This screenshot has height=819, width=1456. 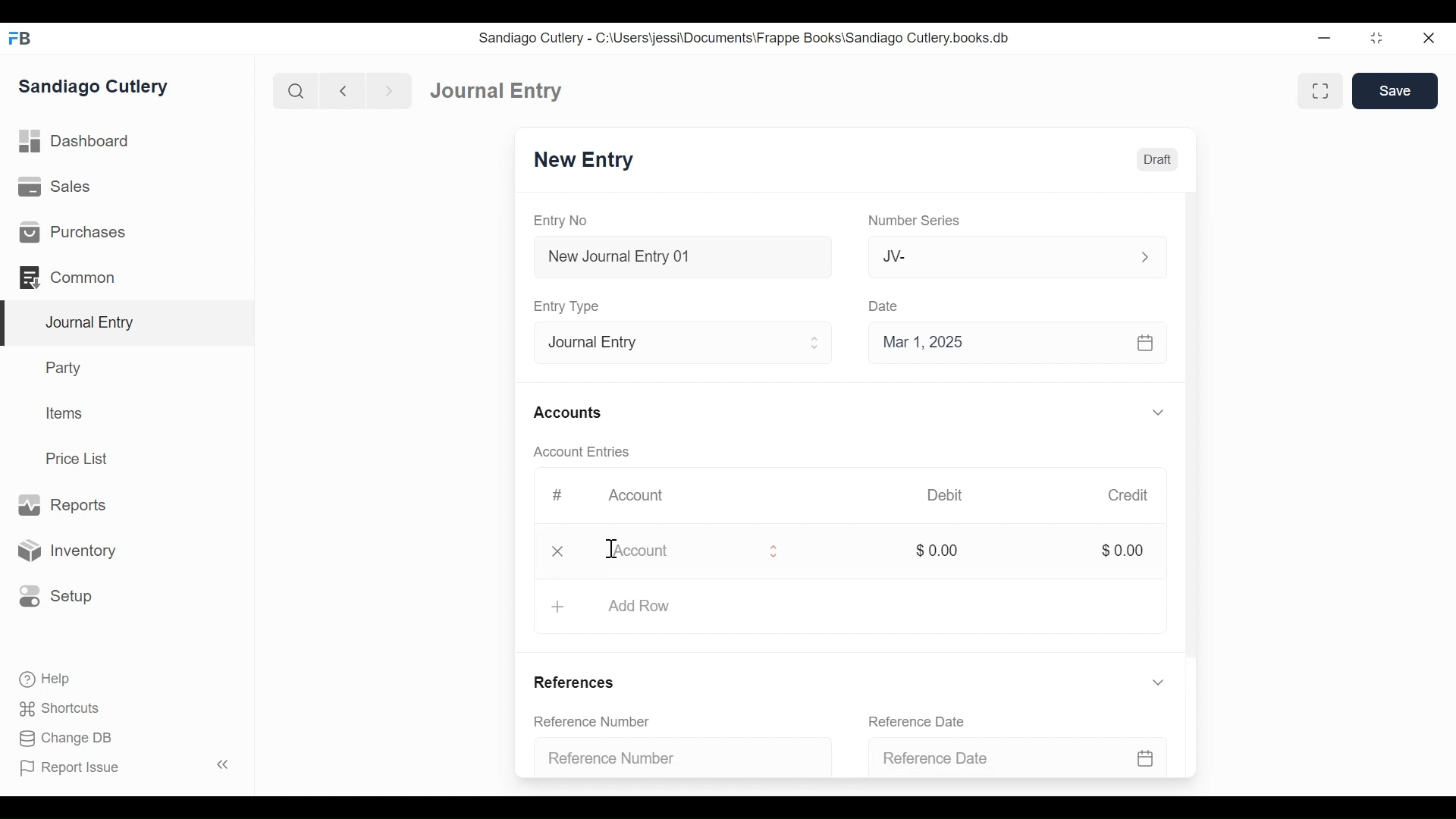 I want to click on Help, so click(x=38, y=680).